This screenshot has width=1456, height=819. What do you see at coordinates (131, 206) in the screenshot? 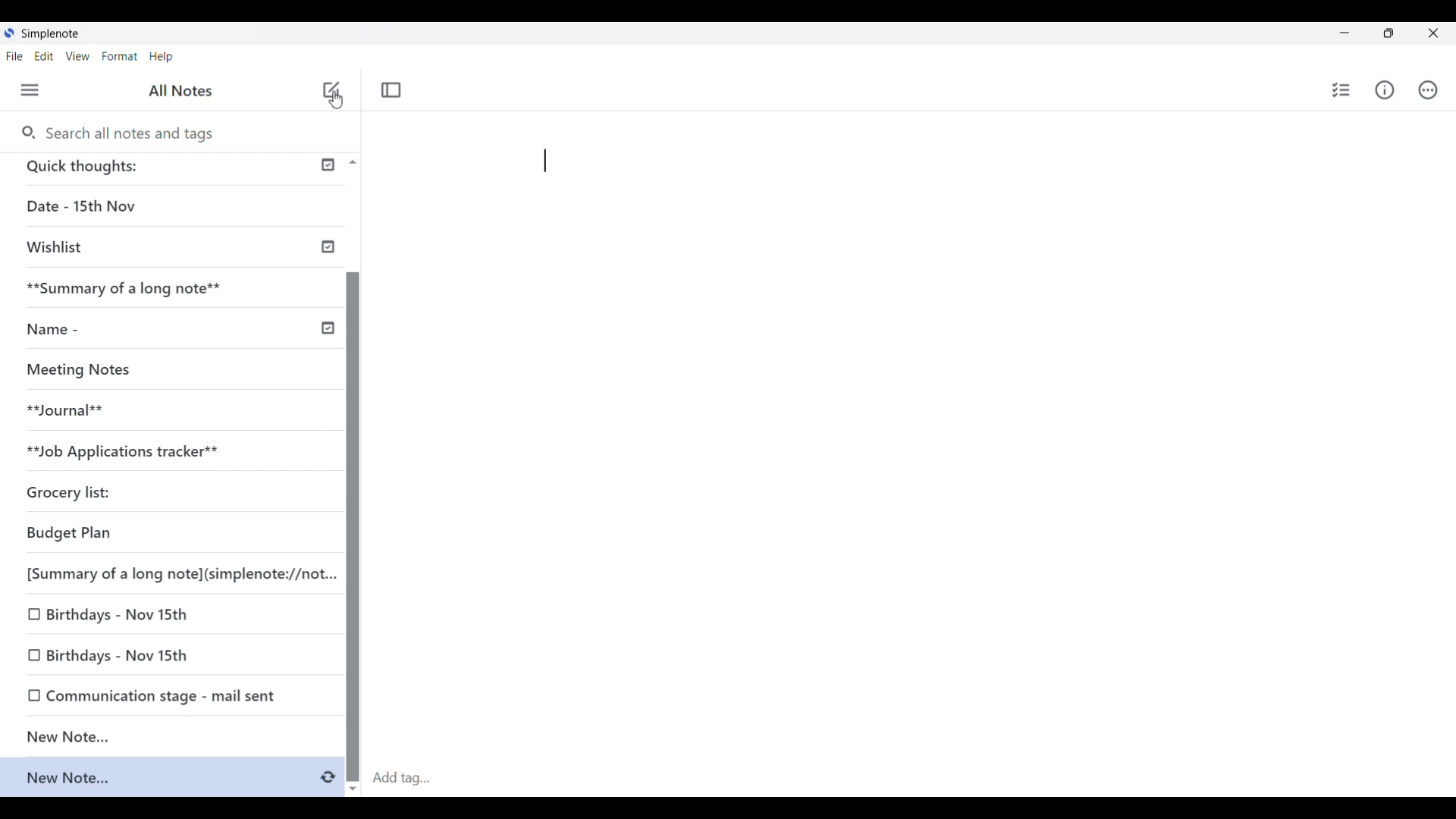
I see `Date - 15th Nov` at bounding box center [131, 206].